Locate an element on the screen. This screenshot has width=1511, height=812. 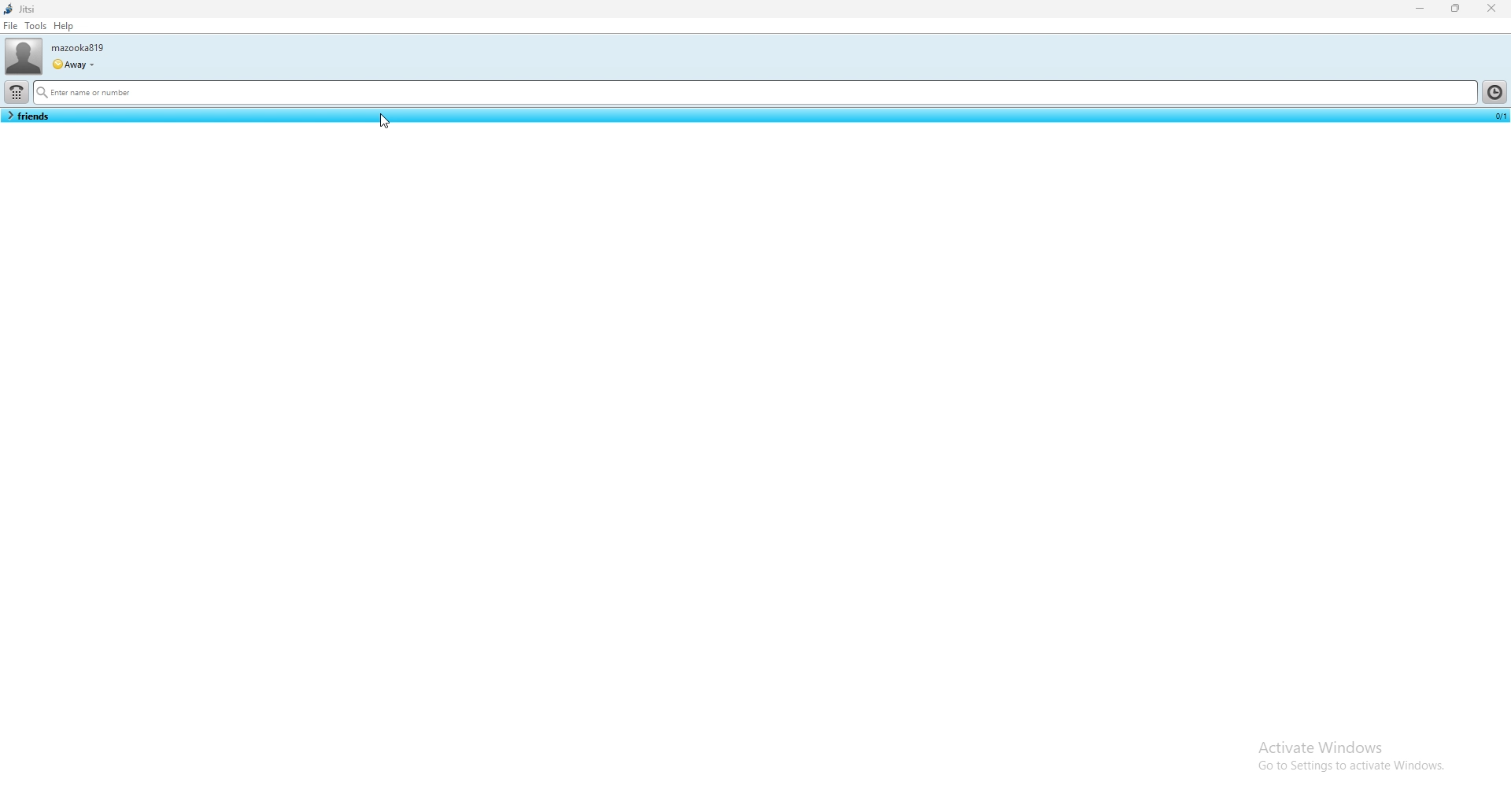
dialpad is located at coordinates (16, 93).